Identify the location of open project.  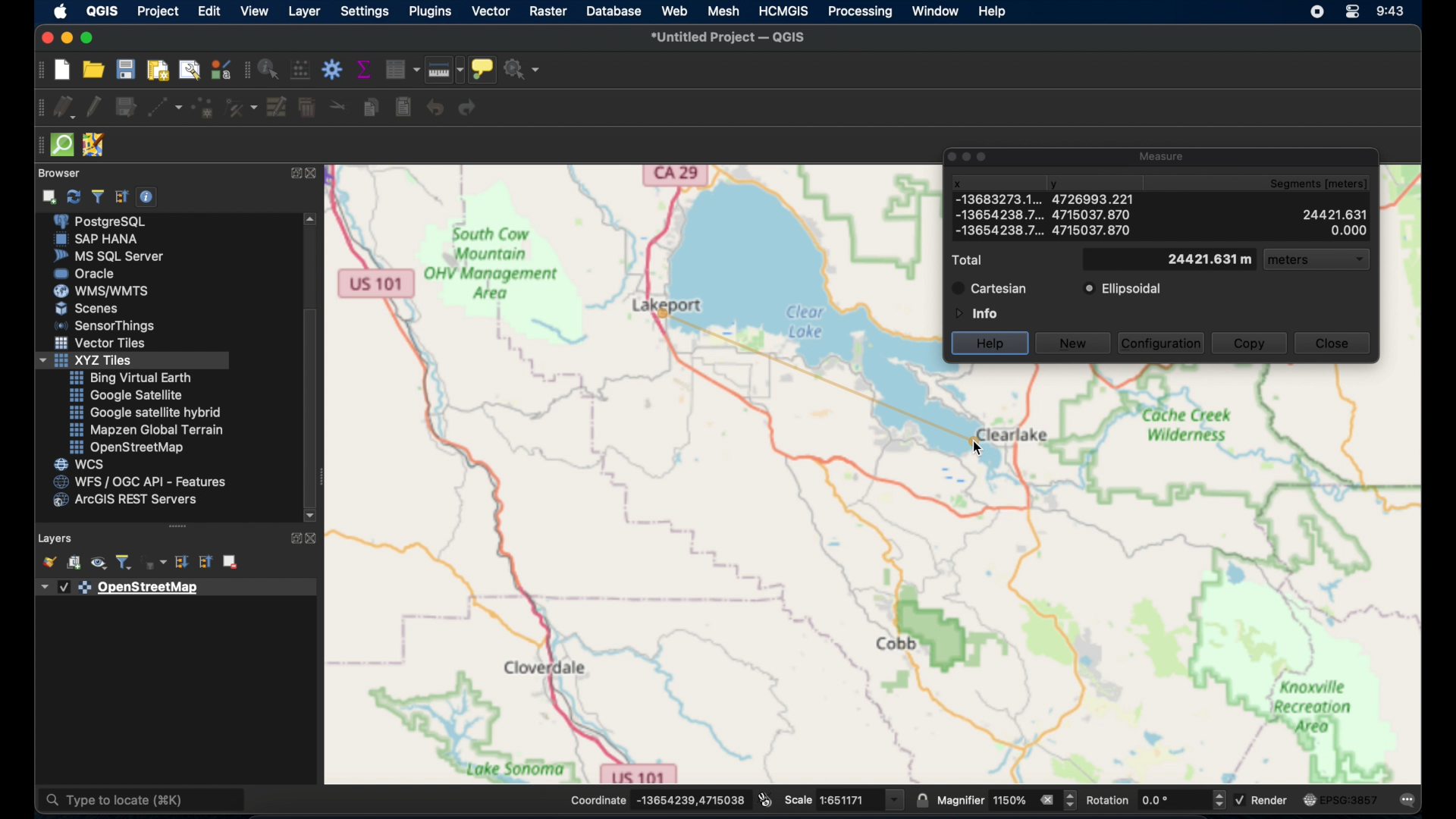
(96, 71).